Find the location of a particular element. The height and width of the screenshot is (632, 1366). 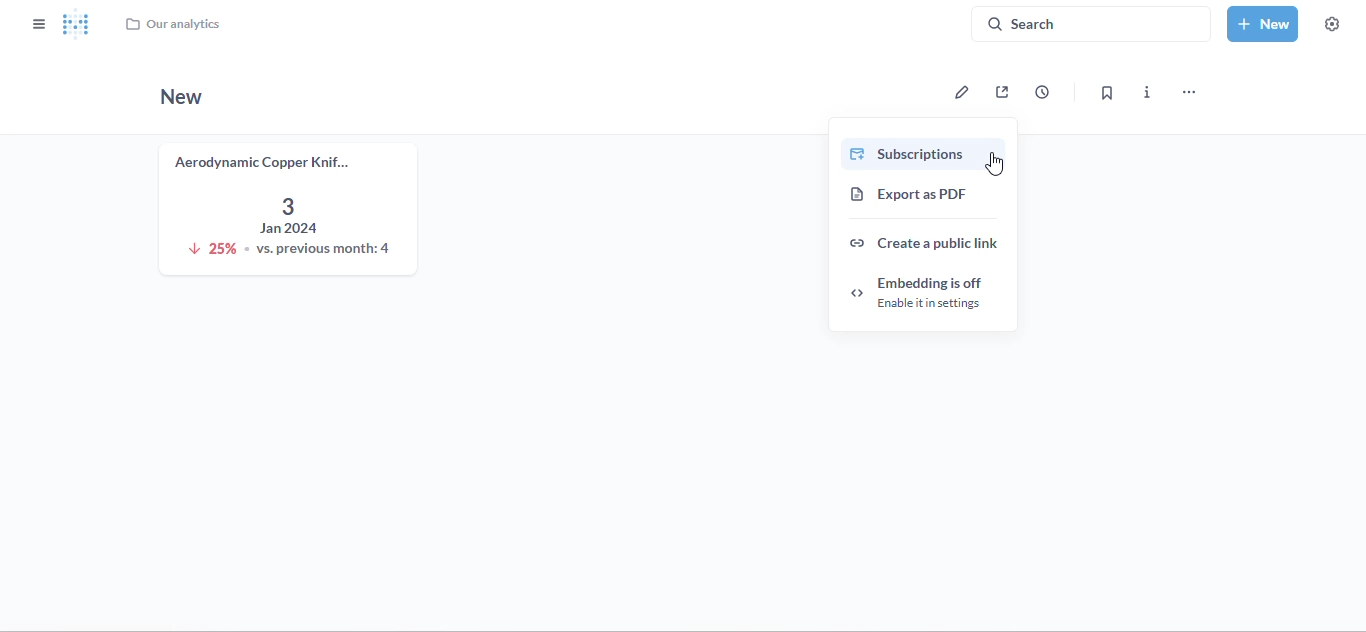

new is located at coordinates (184, 97).